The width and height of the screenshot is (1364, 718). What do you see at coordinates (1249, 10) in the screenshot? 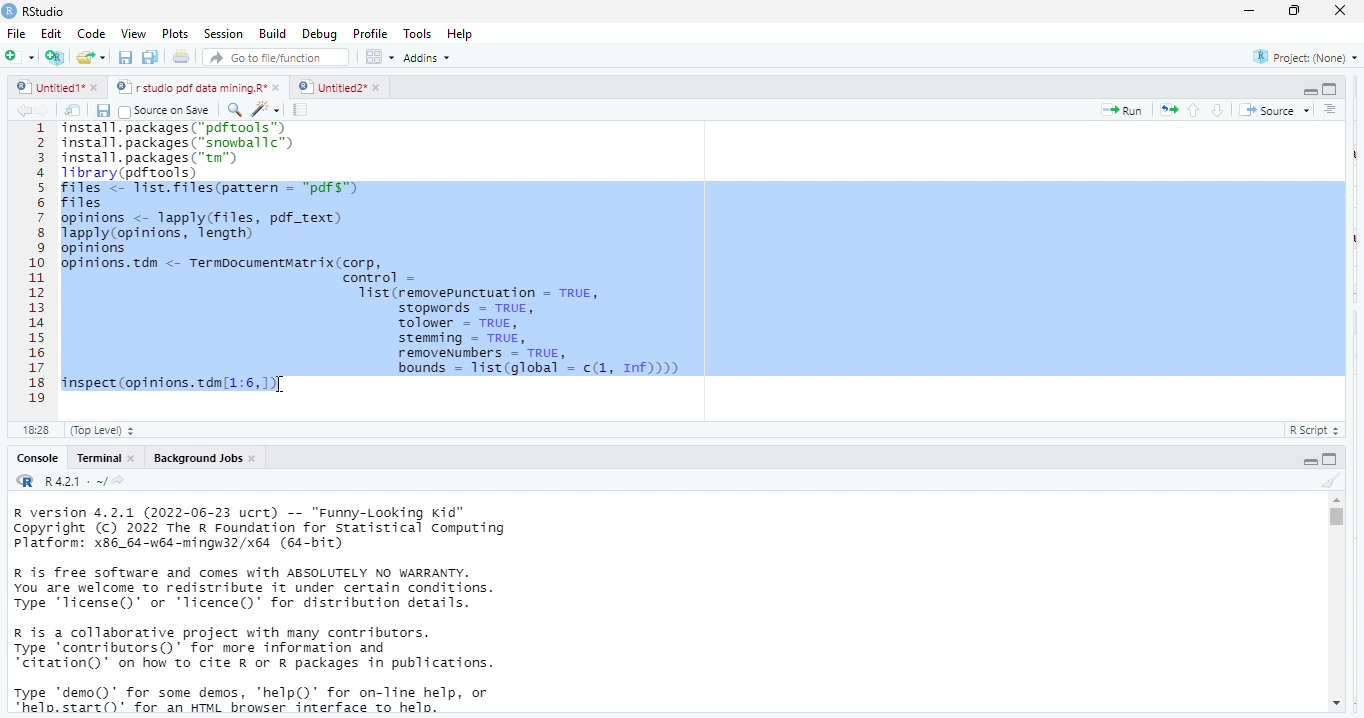
I see `minimize` at bounding box center [1249, 10].